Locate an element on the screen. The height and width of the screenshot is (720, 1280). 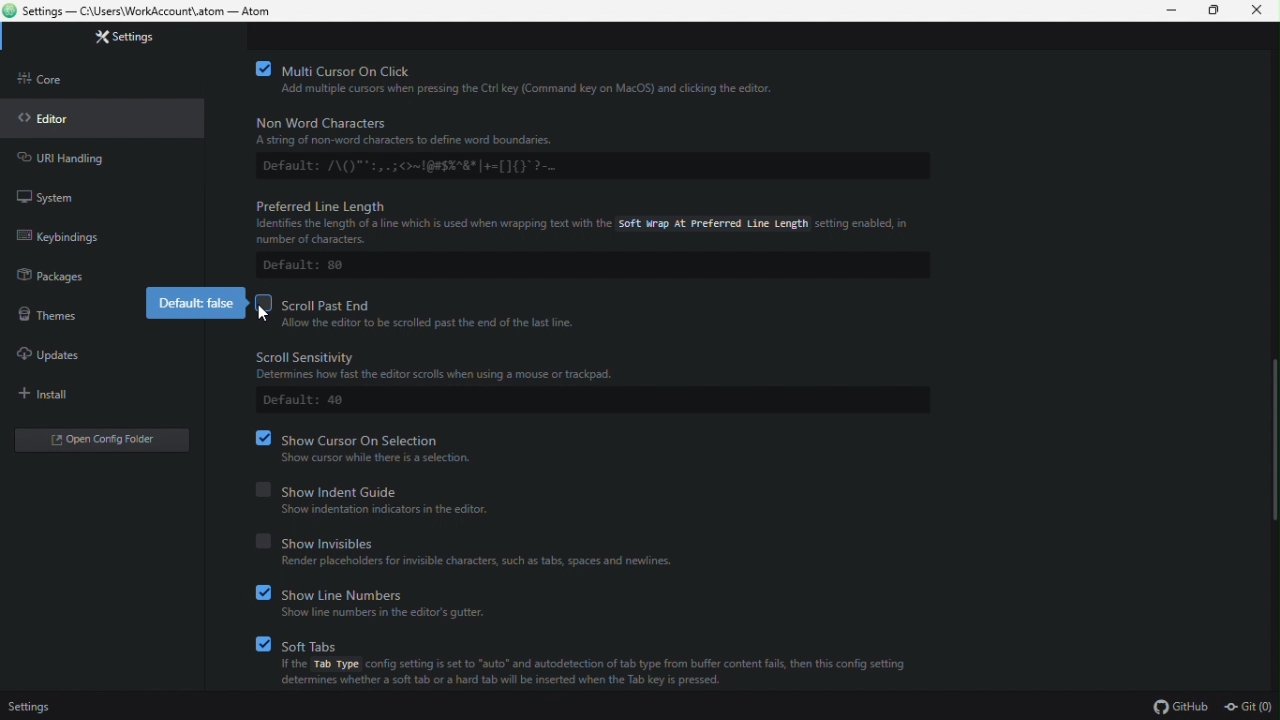
core is located at coordinates (51, 84).